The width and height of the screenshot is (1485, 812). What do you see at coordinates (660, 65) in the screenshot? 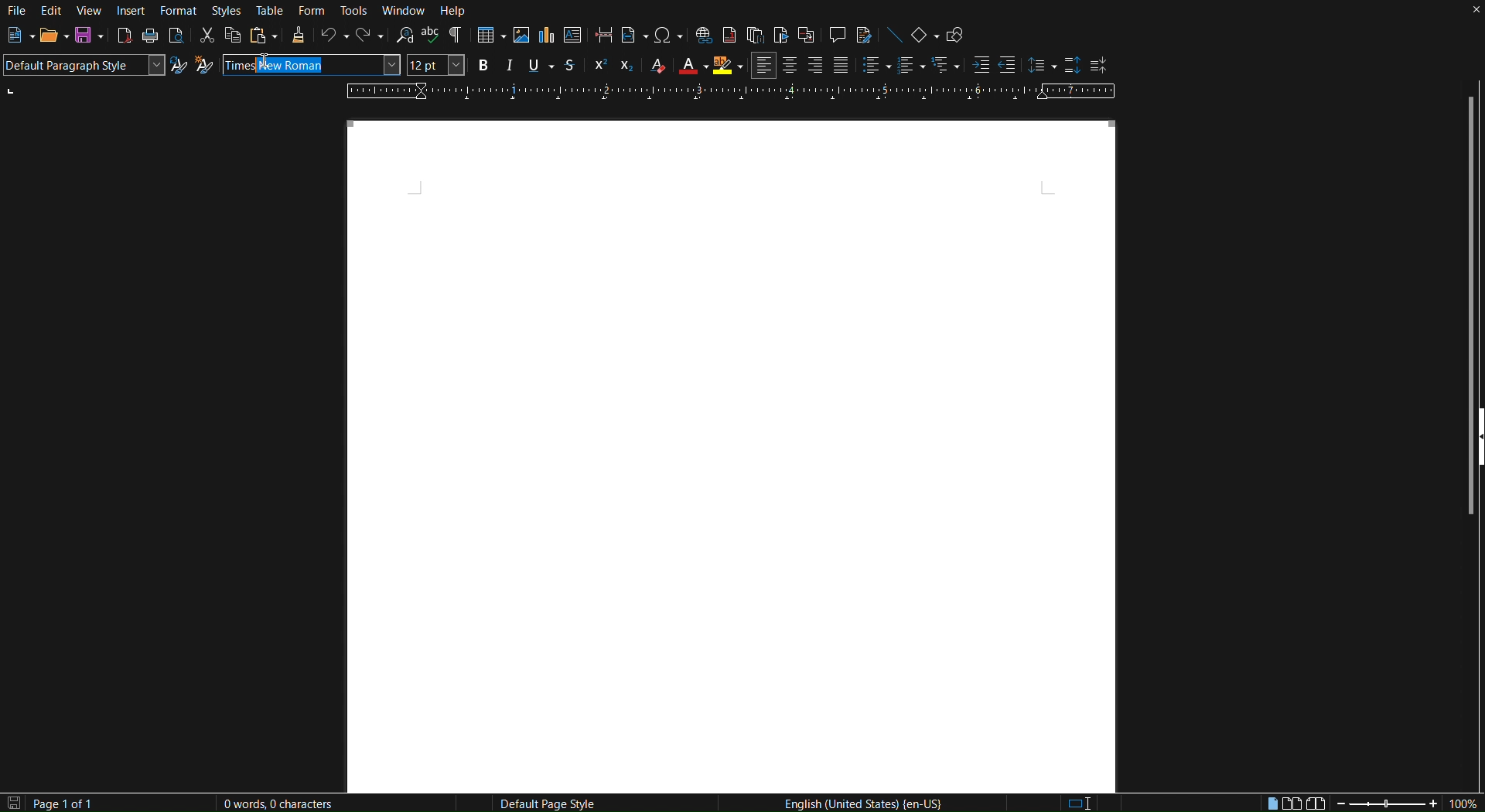
I see `Clear Formatting` at bounding box center [660, 65].